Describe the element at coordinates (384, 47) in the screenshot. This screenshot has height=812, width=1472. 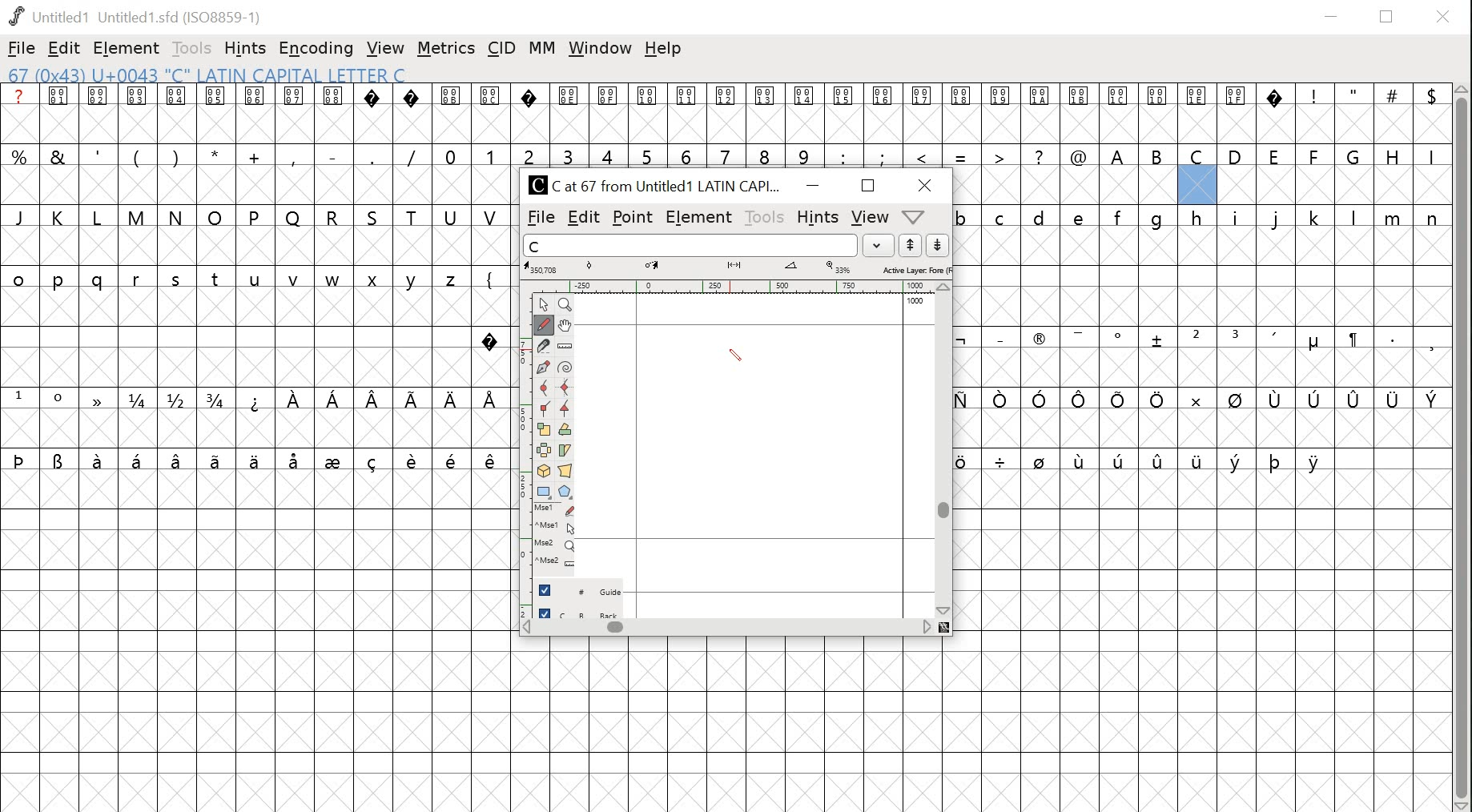
I see `view` at that location.